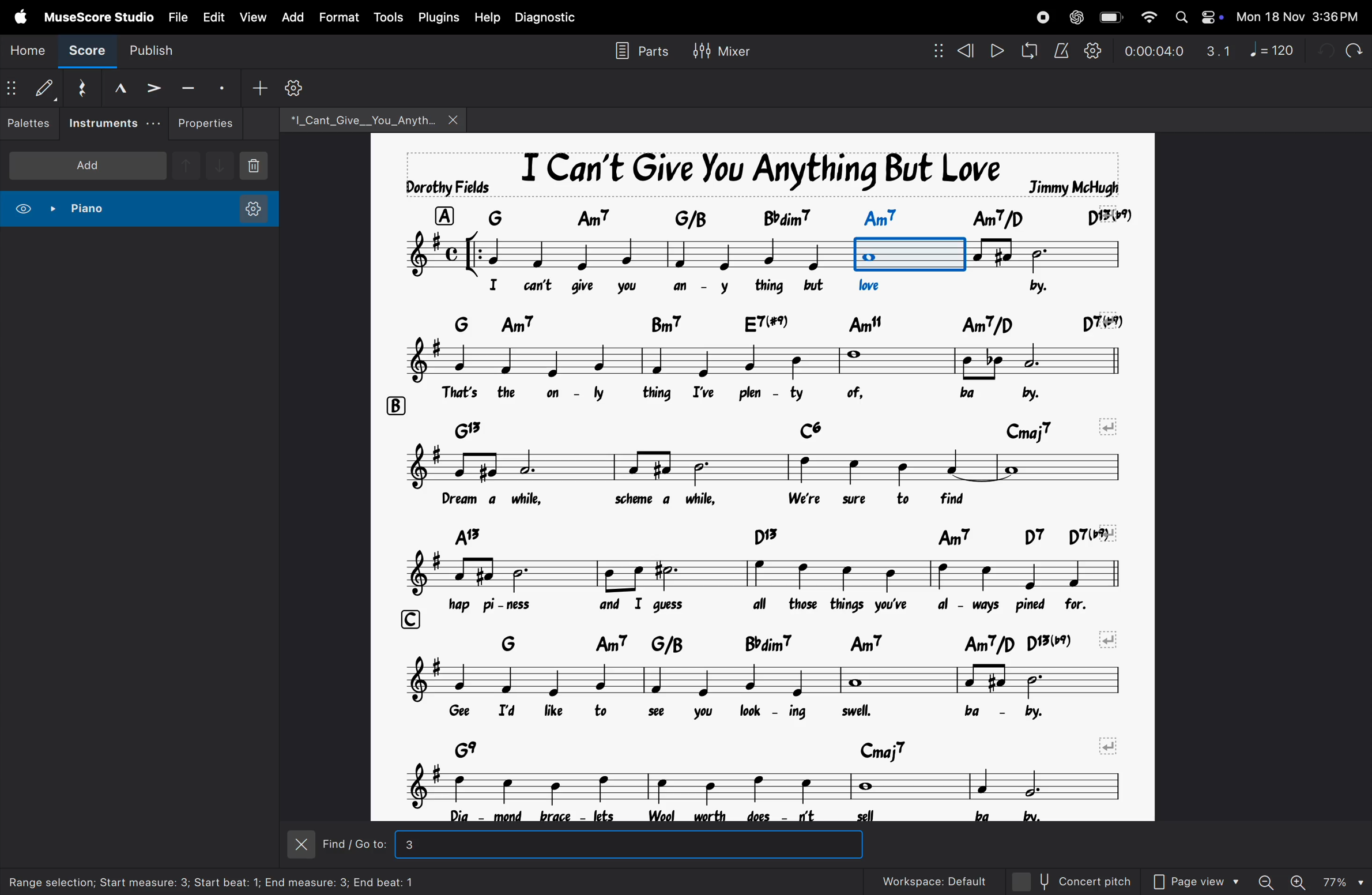  I want to click on wifi, so click(1146, 18).